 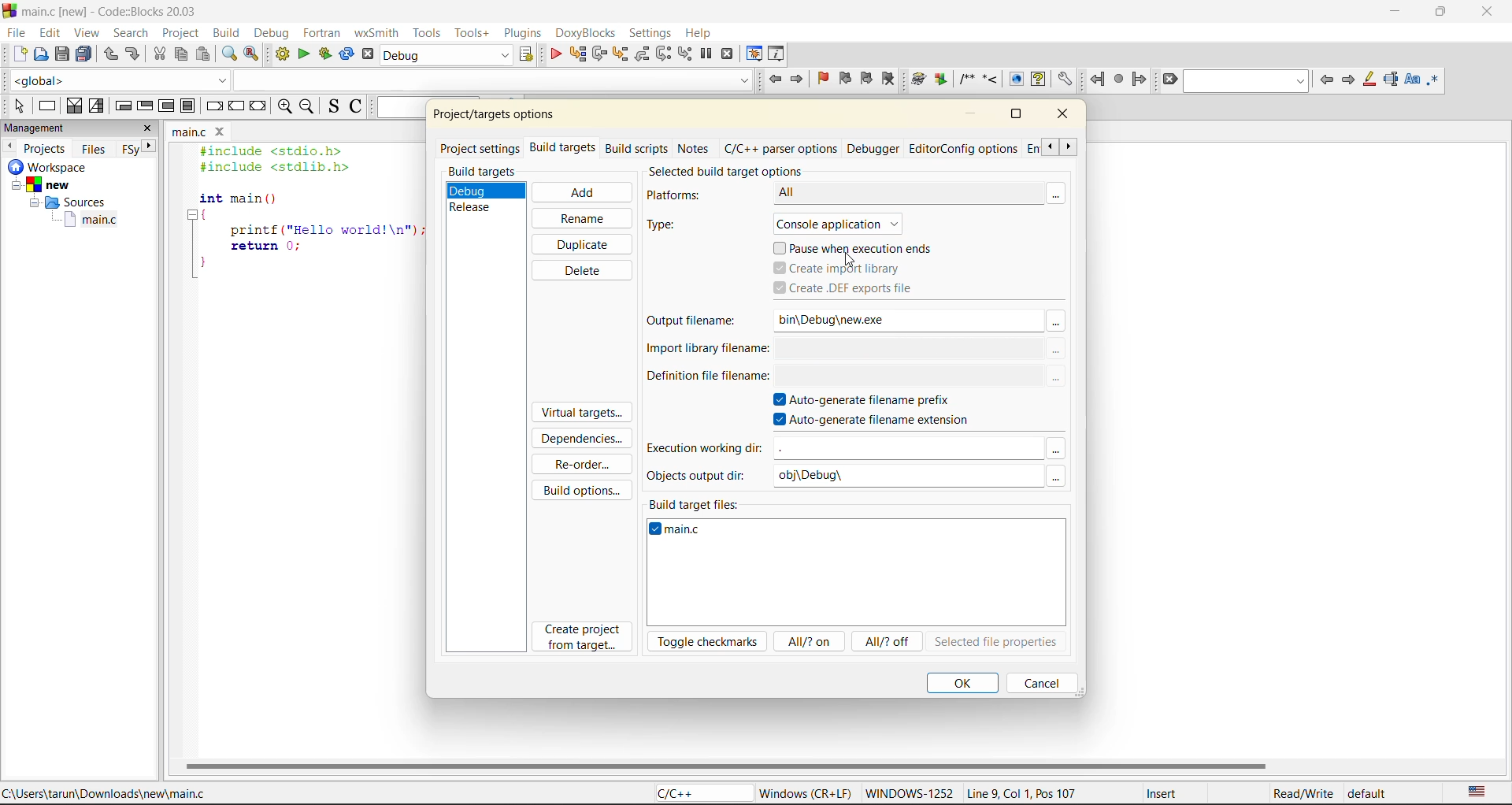 I want to click on virtual targets, so click(x=580, y=414).